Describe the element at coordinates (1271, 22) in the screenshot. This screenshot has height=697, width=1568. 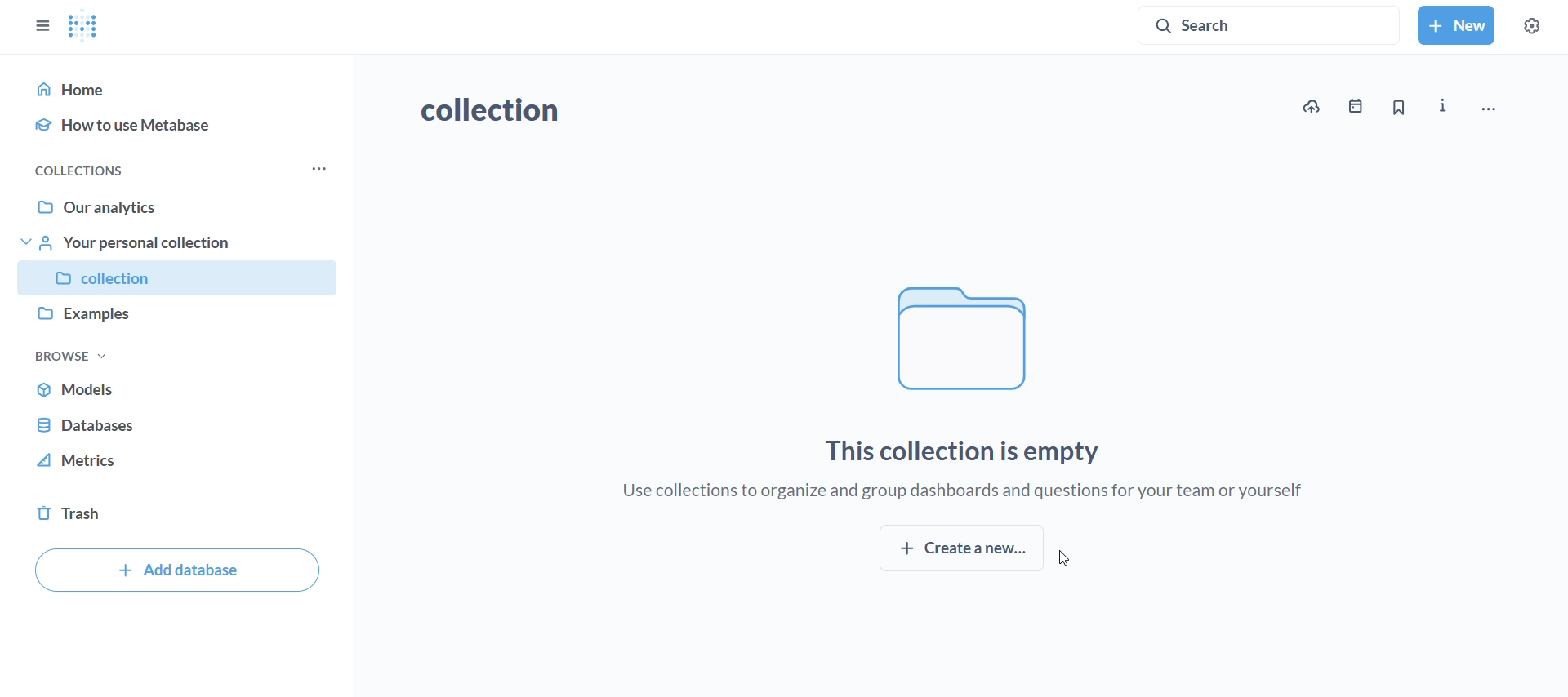
I see `search` at that location.